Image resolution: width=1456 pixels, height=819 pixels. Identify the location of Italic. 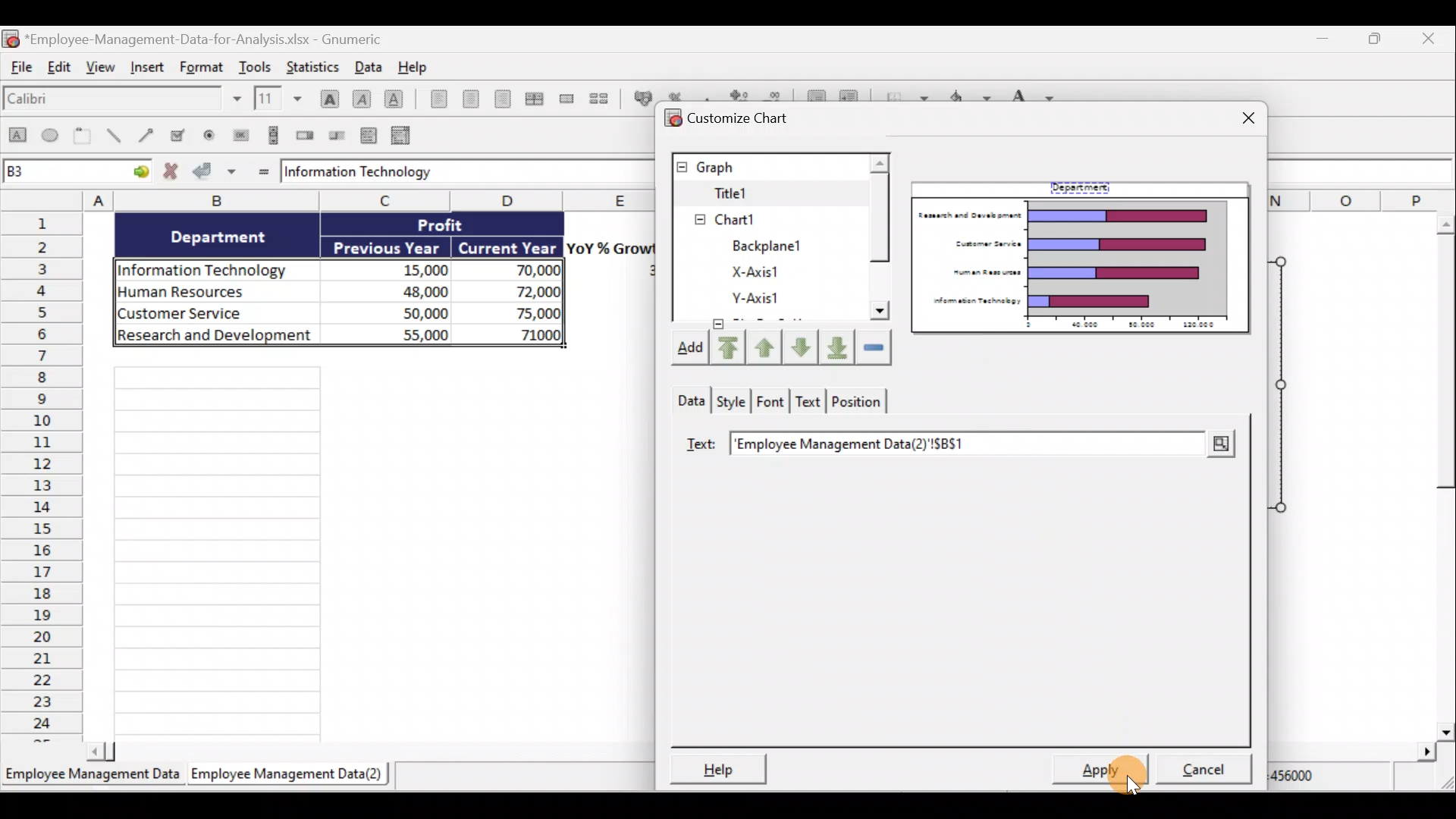
(363, 99).